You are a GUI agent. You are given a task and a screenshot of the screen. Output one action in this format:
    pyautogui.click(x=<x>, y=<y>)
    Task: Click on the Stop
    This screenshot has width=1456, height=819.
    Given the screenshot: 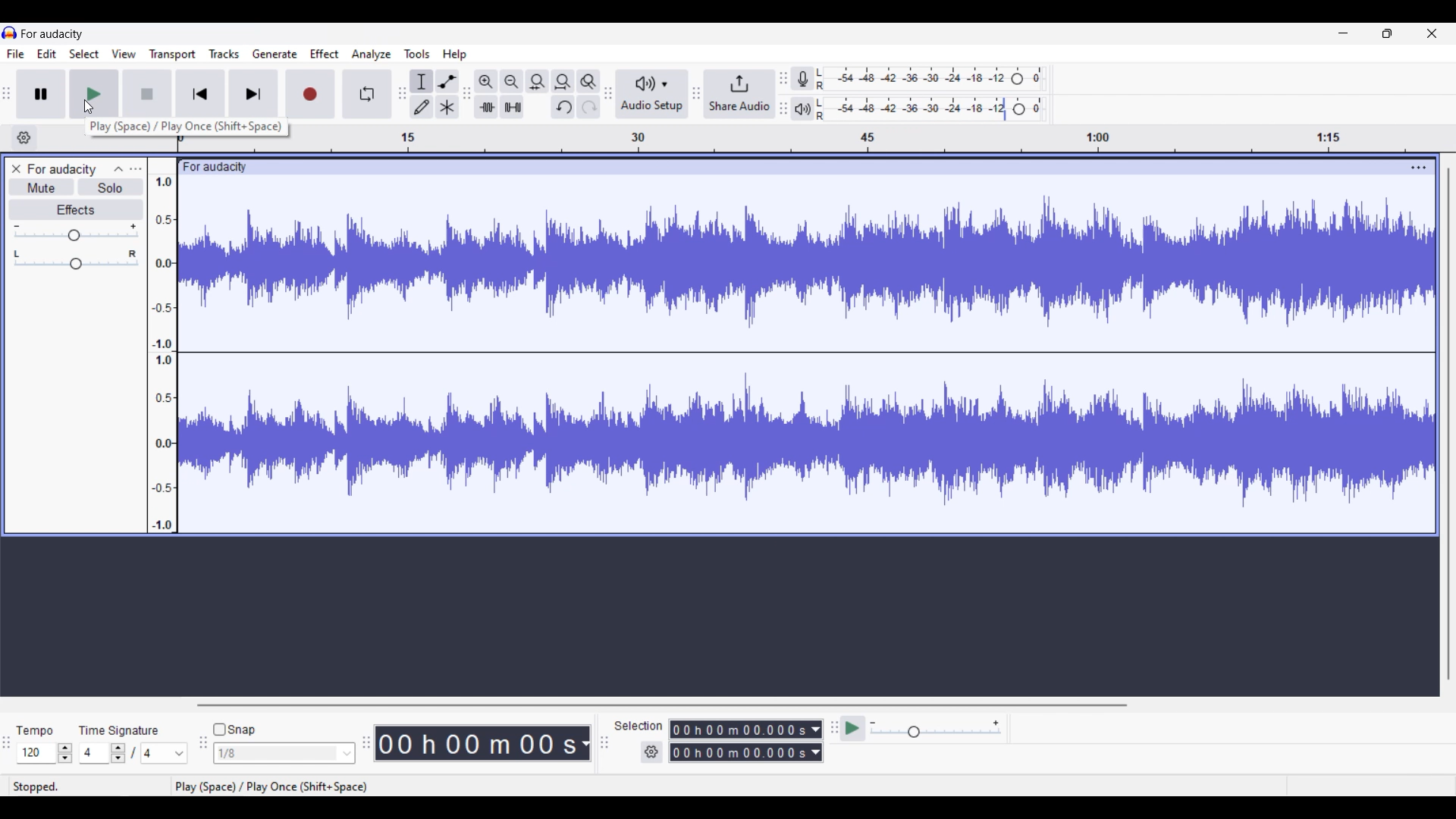 What is the action you would take?
    pyautogui.click(x=147, y=94)
    